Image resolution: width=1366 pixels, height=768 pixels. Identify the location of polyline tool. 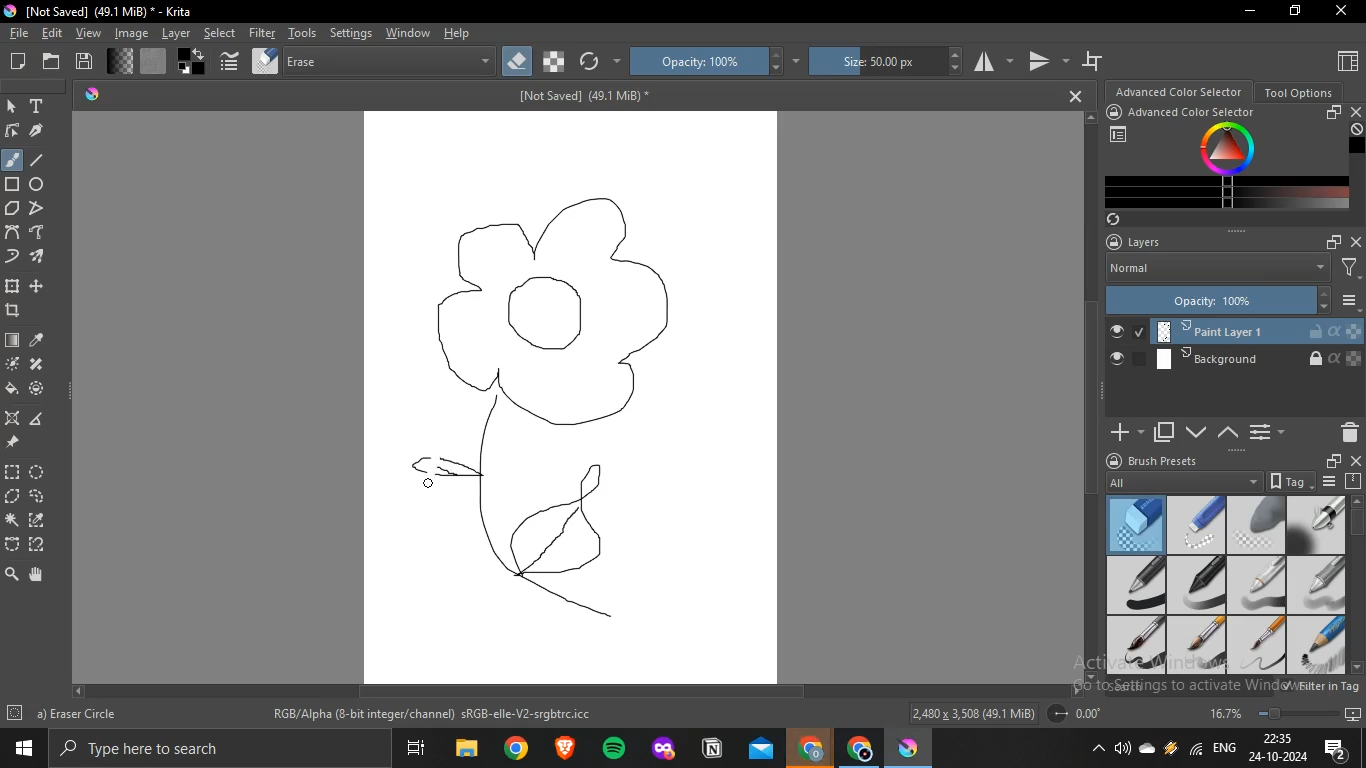
(36, 208).